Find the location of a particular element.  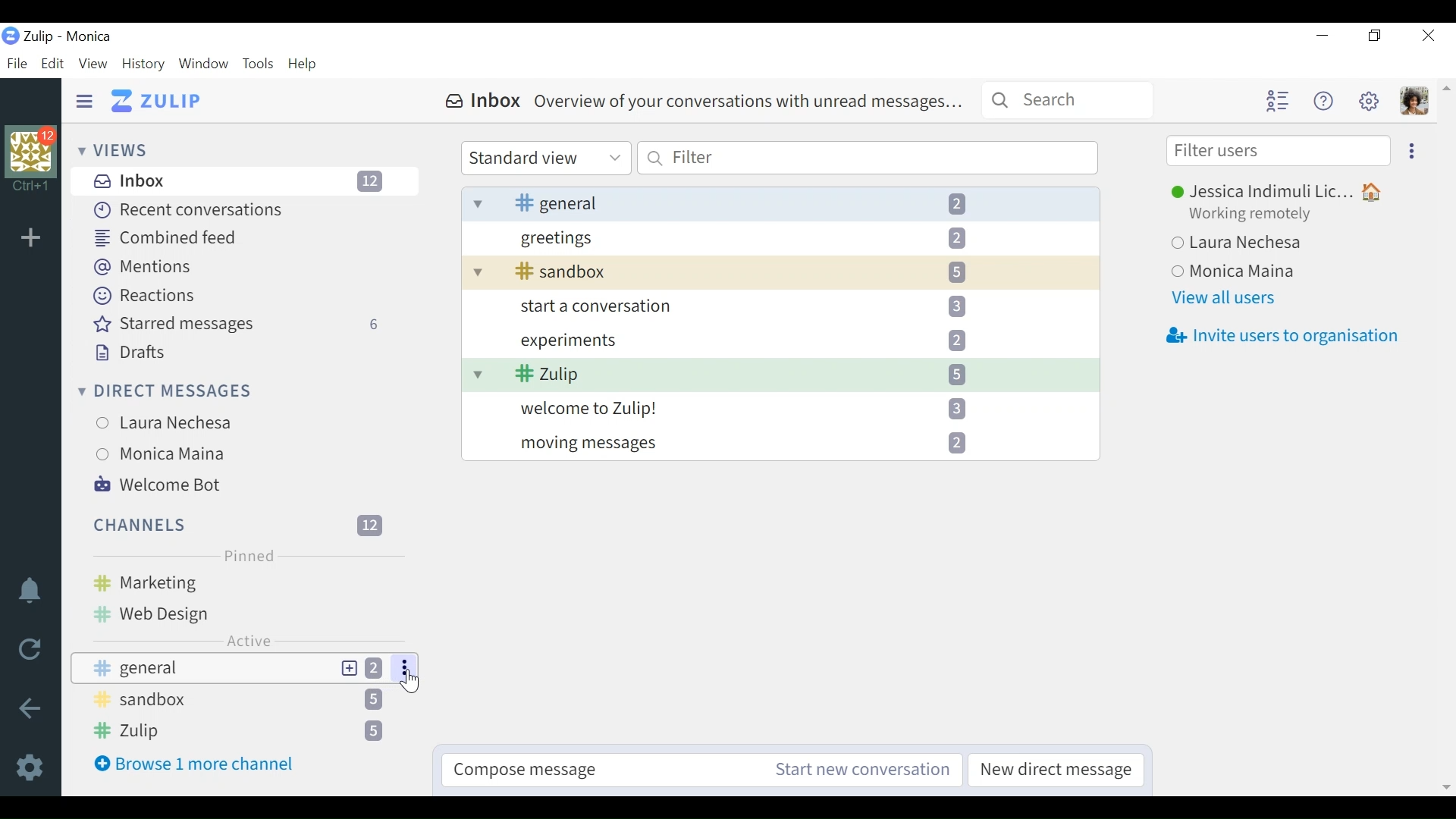

Zulip - Monica is located at coordinates (69, 36).